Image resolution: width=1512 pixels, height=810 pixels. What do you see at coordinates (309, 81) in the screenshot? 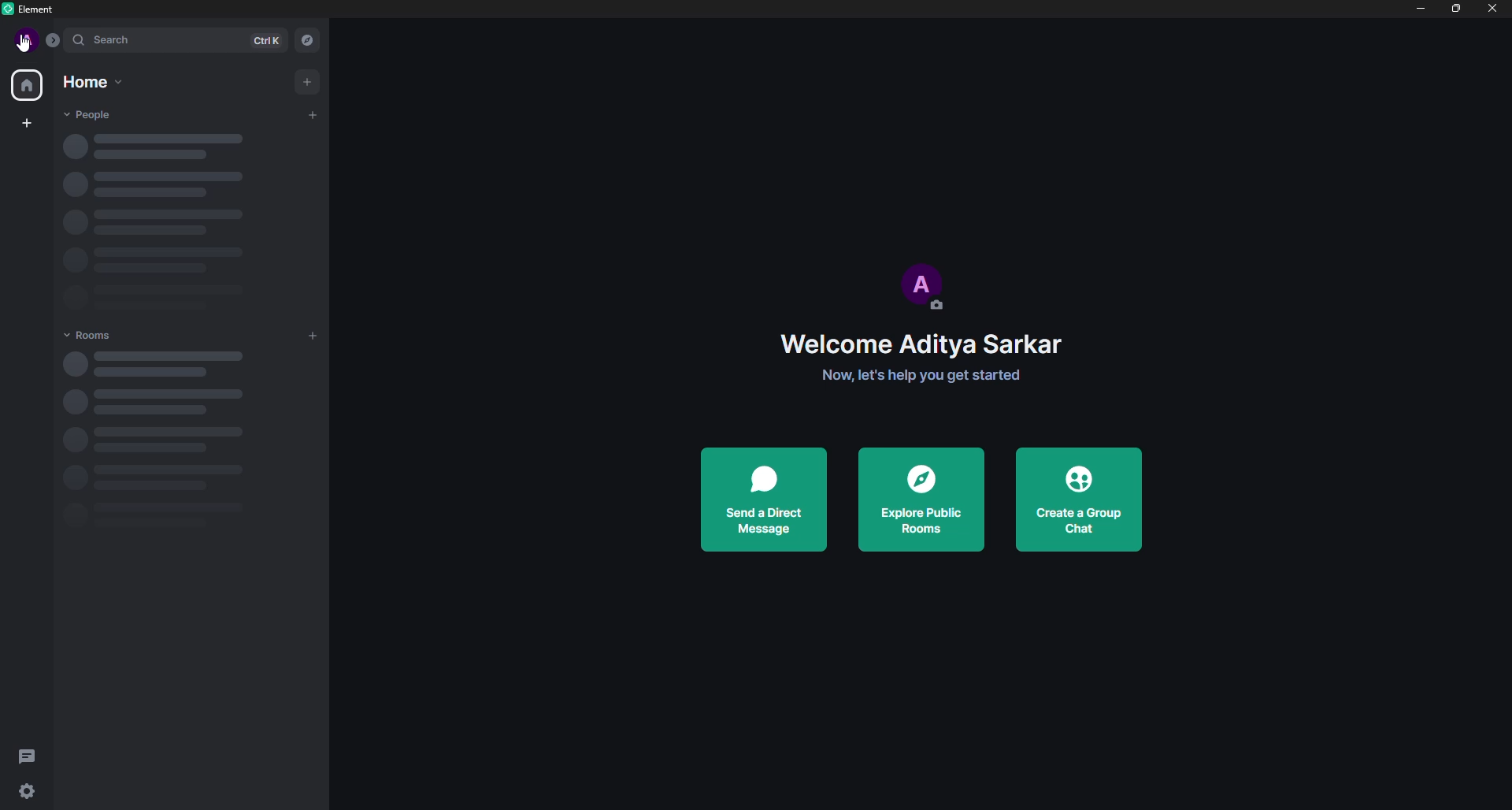
I see `add` at bounding box center [309, 81].